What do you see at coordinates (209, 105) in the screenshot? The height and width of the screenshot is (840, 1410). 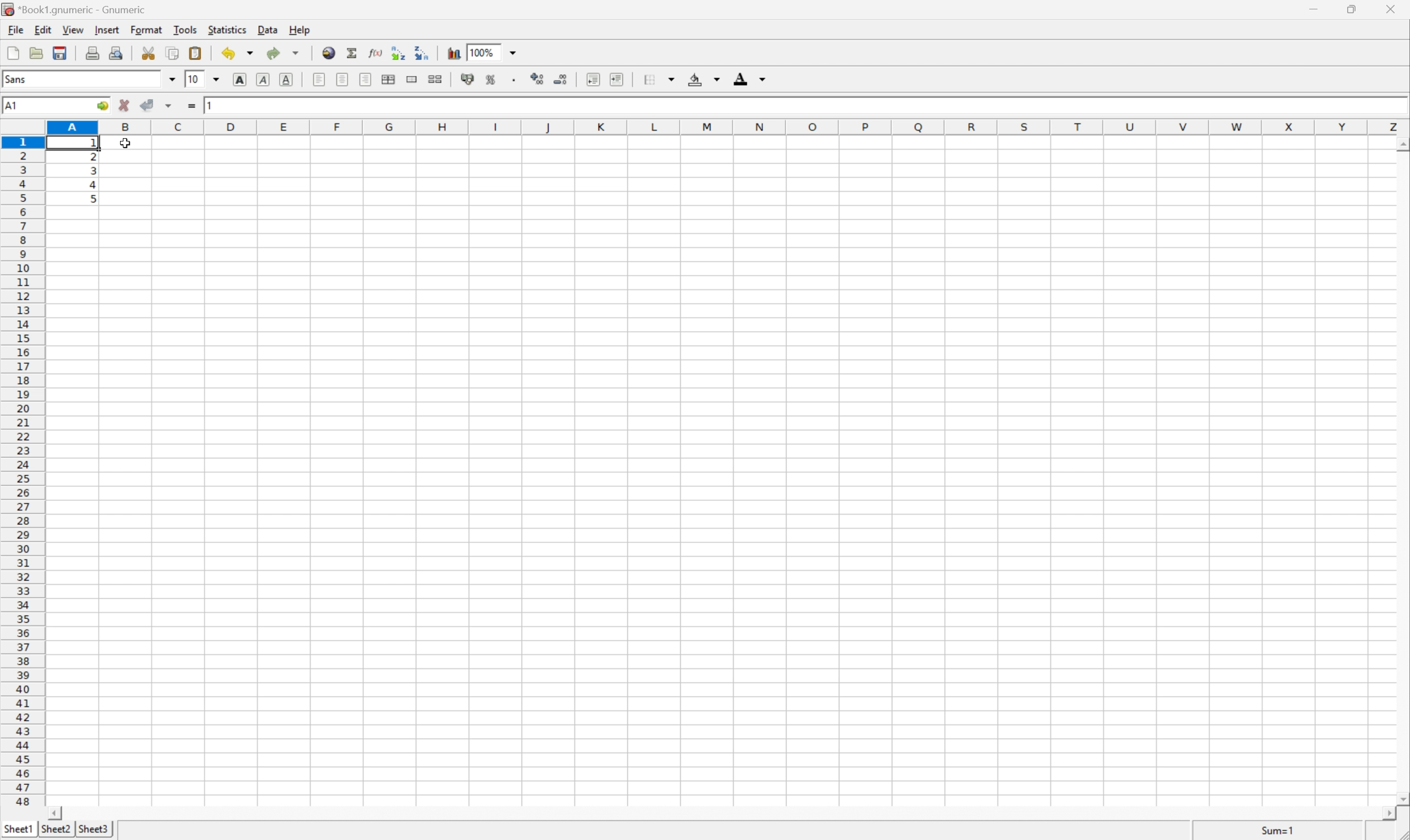 I see `1` at bounding box center [209, 105].